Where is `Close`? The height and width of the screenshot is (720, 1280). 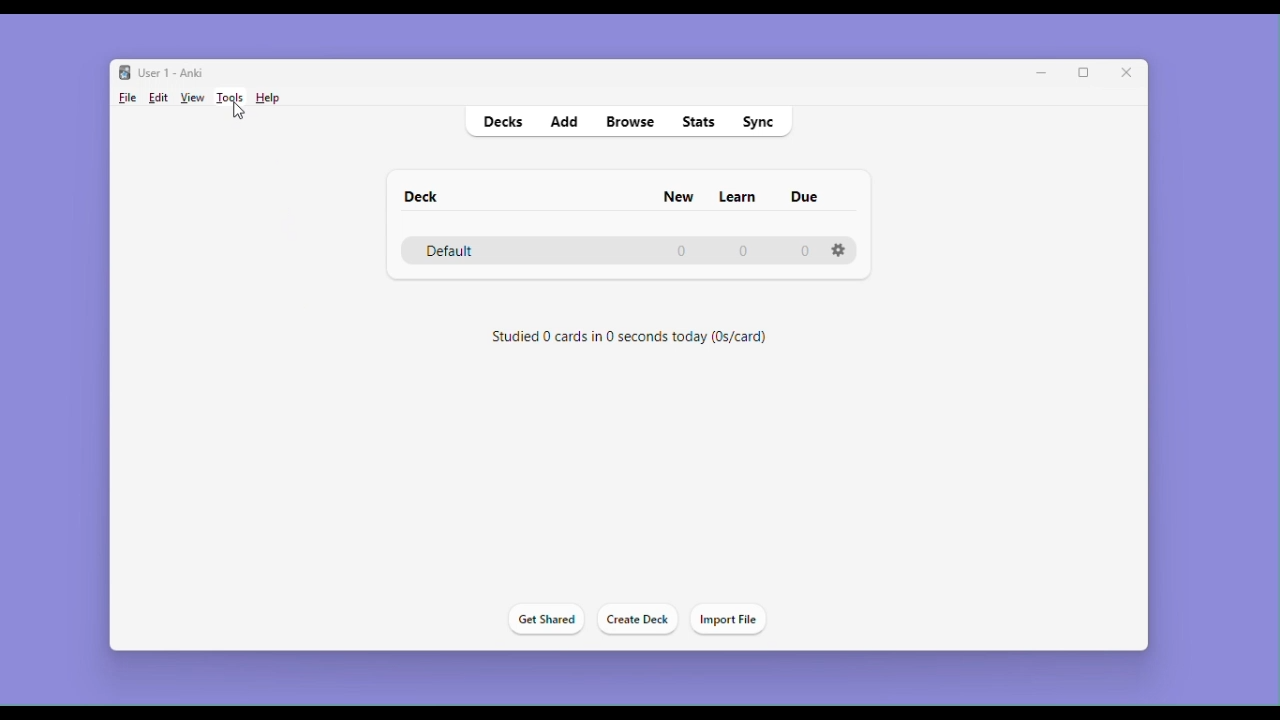
Close is located at coordinates (1129, 71).